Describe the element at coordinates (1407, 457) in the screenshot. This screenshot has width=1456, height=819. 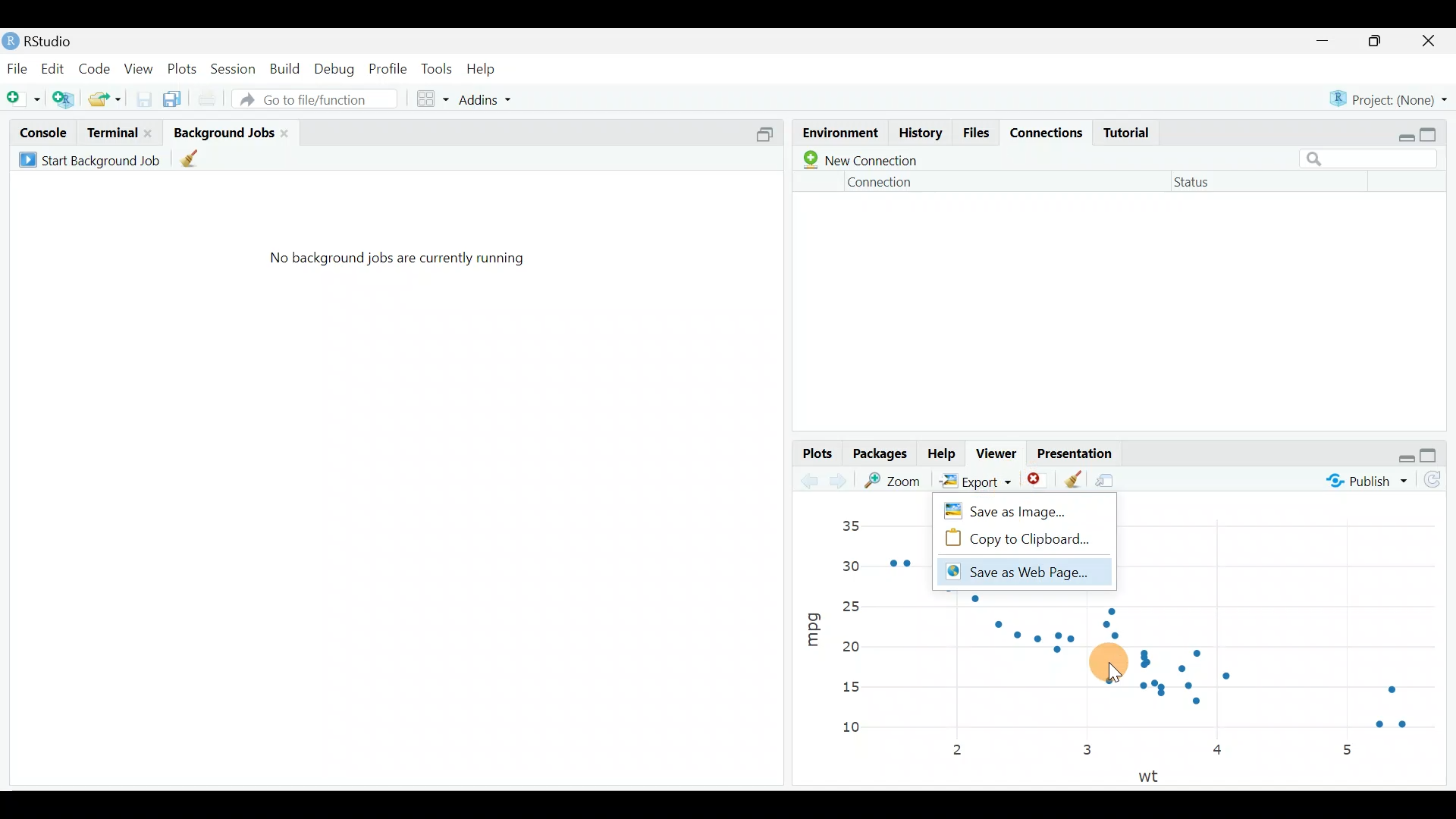
I see `Restore down` at that location.